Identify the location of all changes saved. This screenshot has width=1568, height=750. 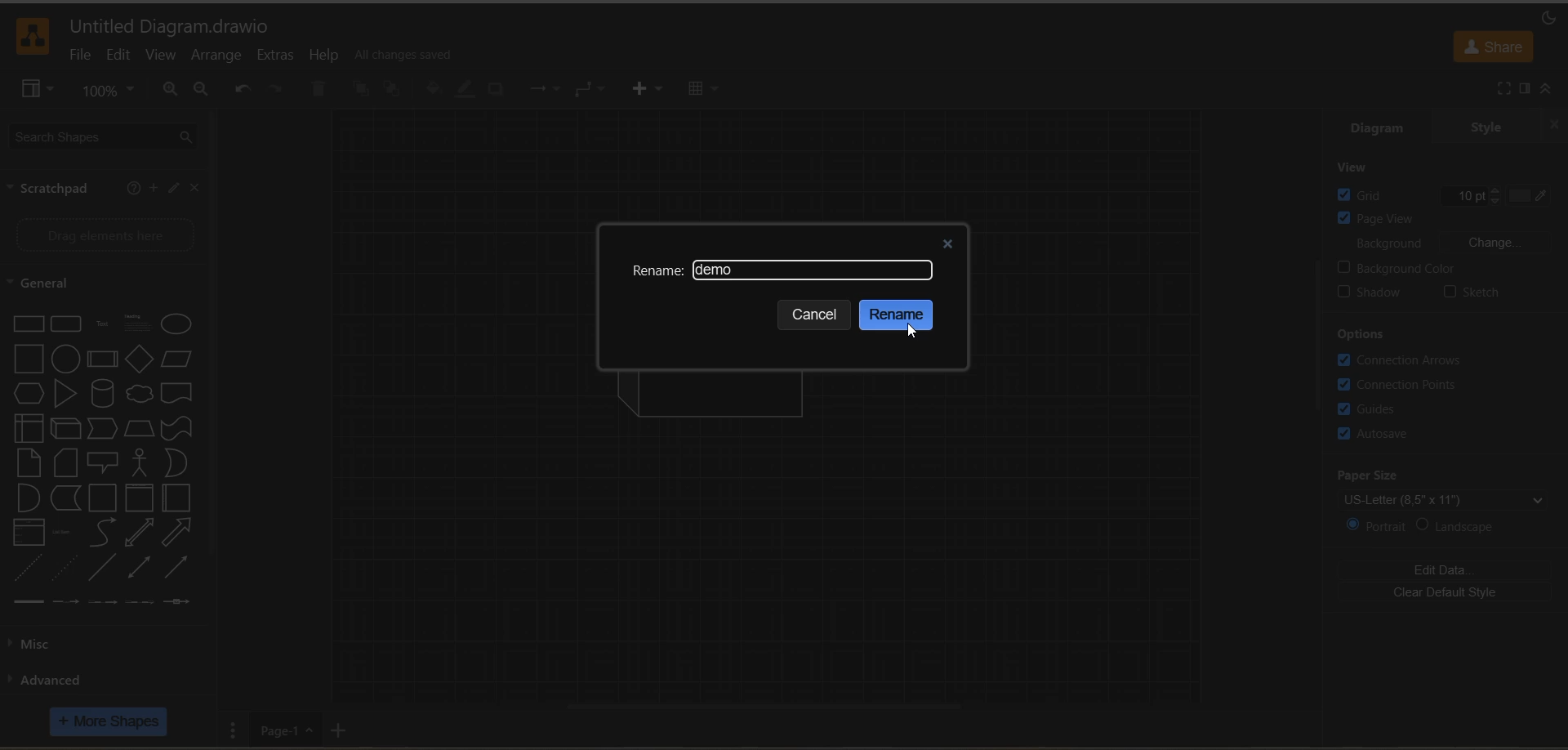
(406, 53).